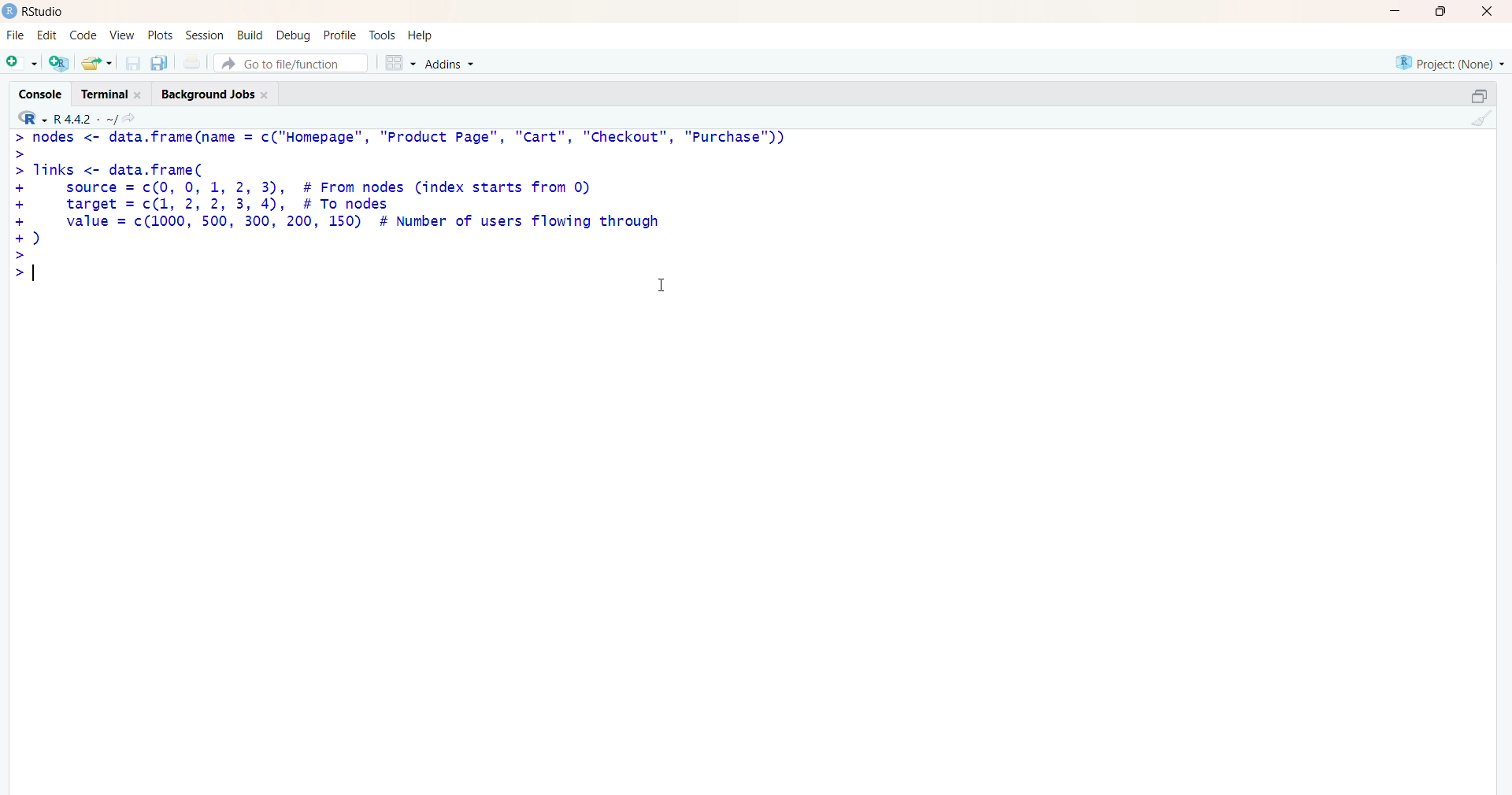 The width and height of the screenshot is (1512, 795). Describe the element at coordinates (1485, 13) in the screenshot. I see `exit` at that location.